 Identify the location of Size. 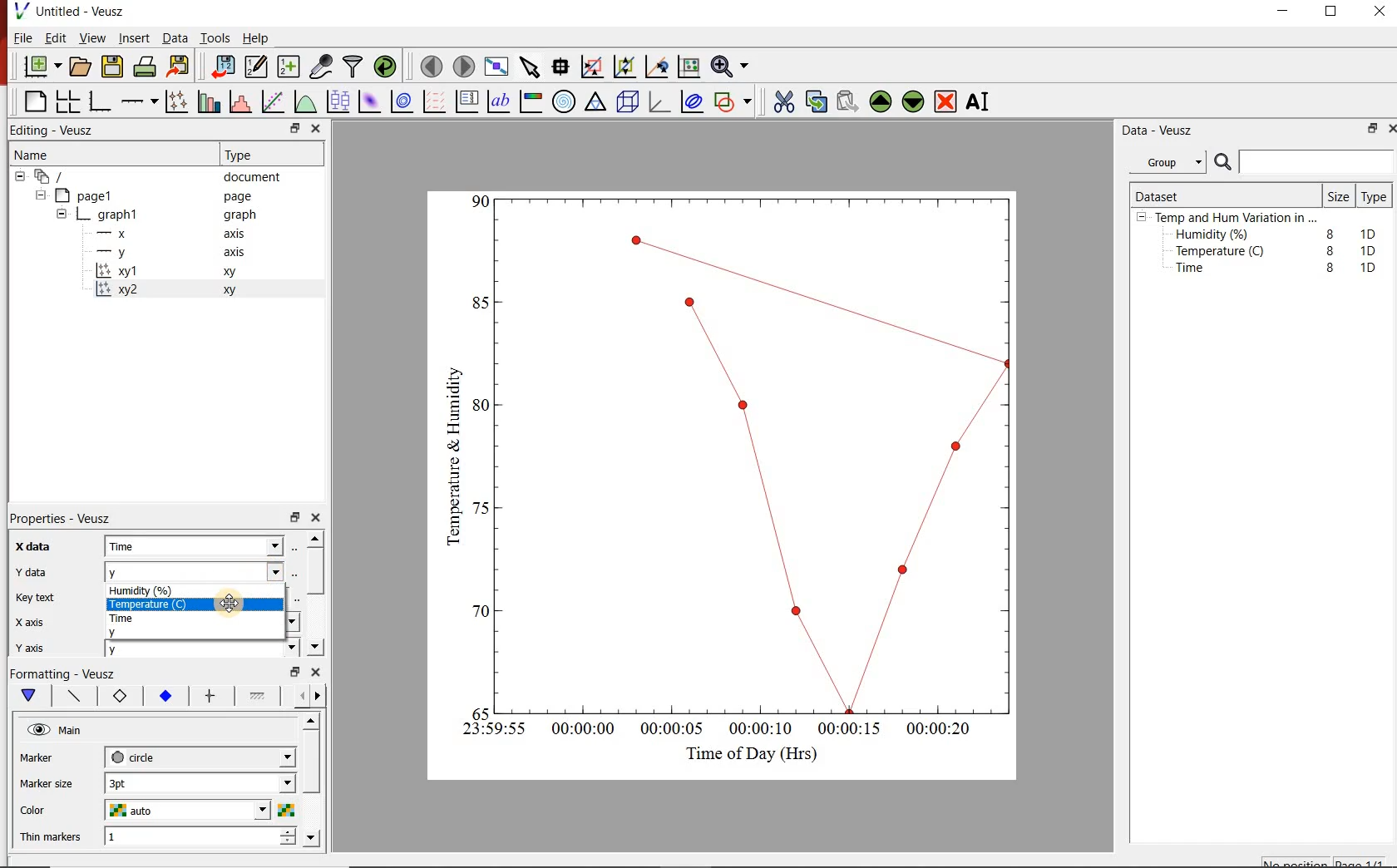
(1337, 195).